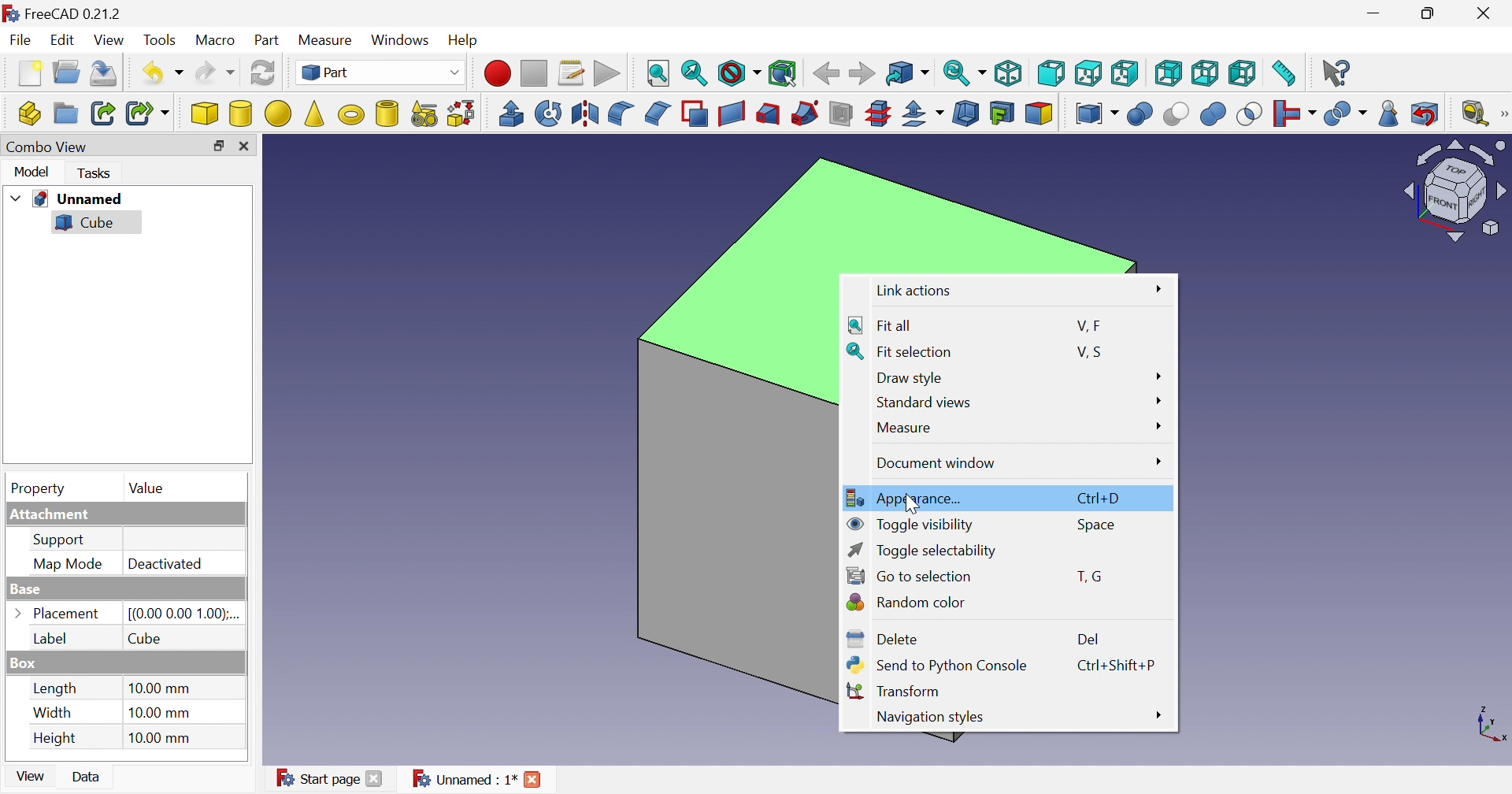  Describe the element at coordinates (161, 40) in the screenshot. I see `Tools` at that location.